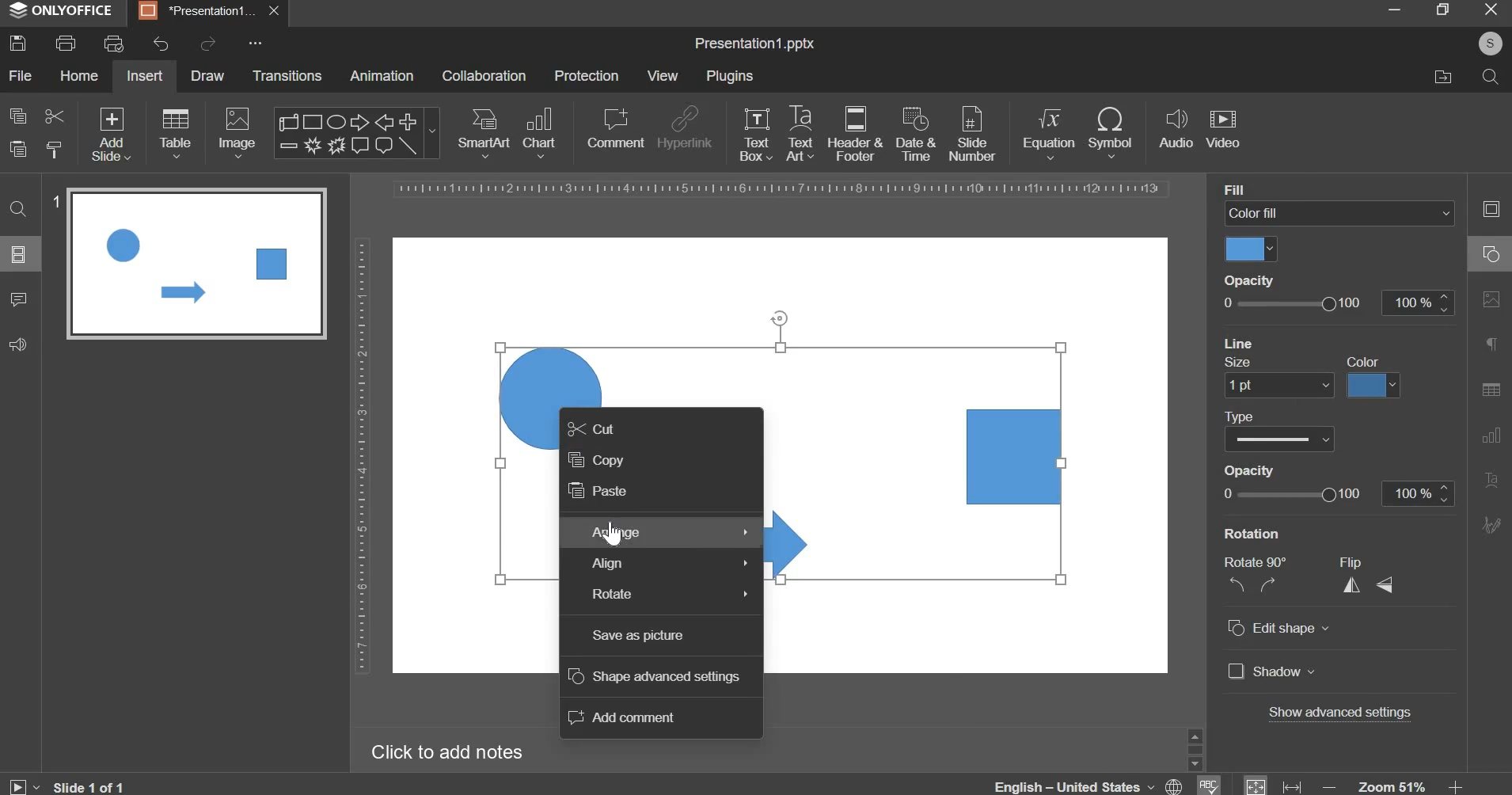  I want to click on smartart, so click(484, 130).